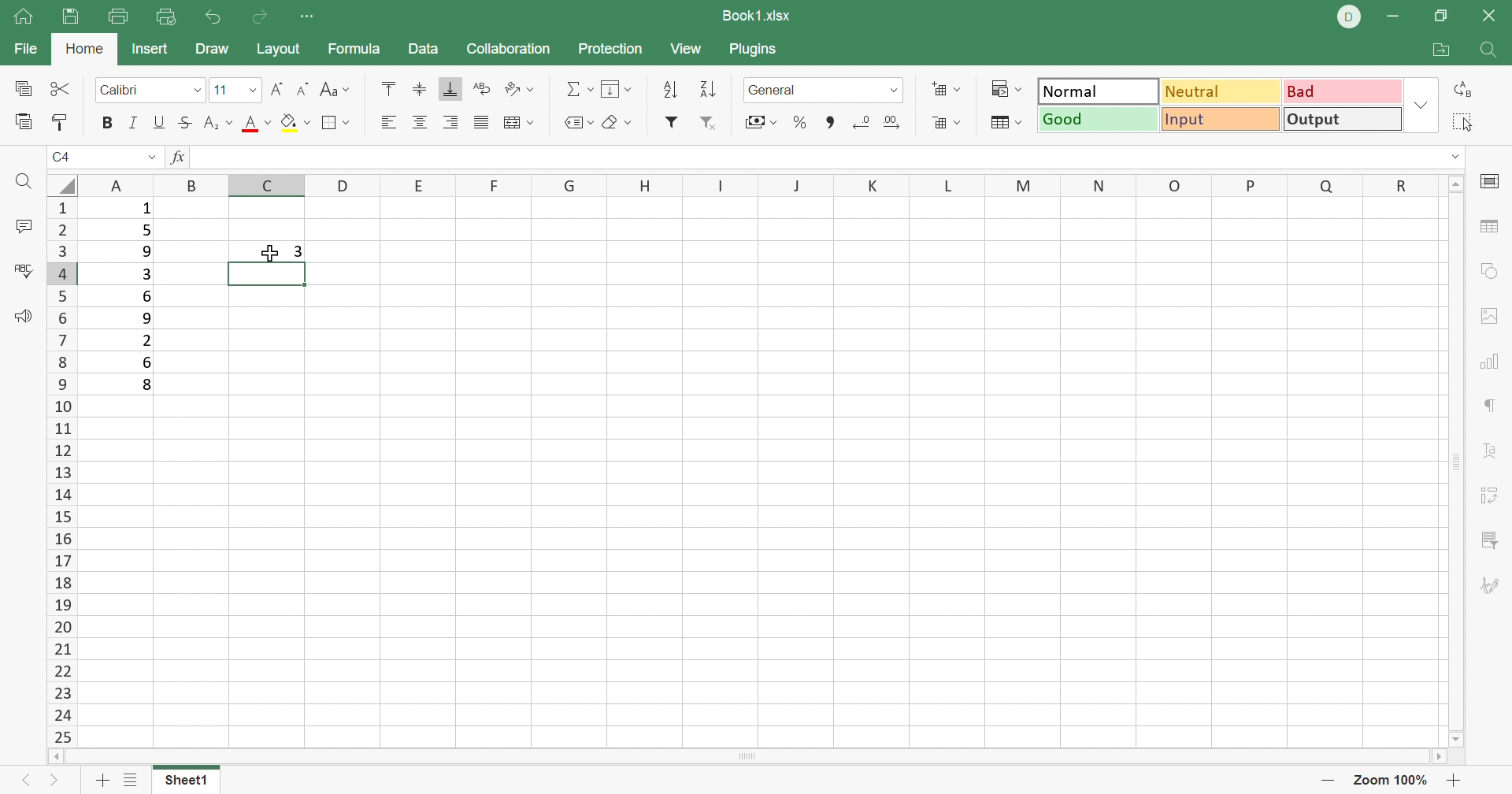  Describe the element at coordinates (1393, 17) in the screenshot. I see `Minimize` at that location.